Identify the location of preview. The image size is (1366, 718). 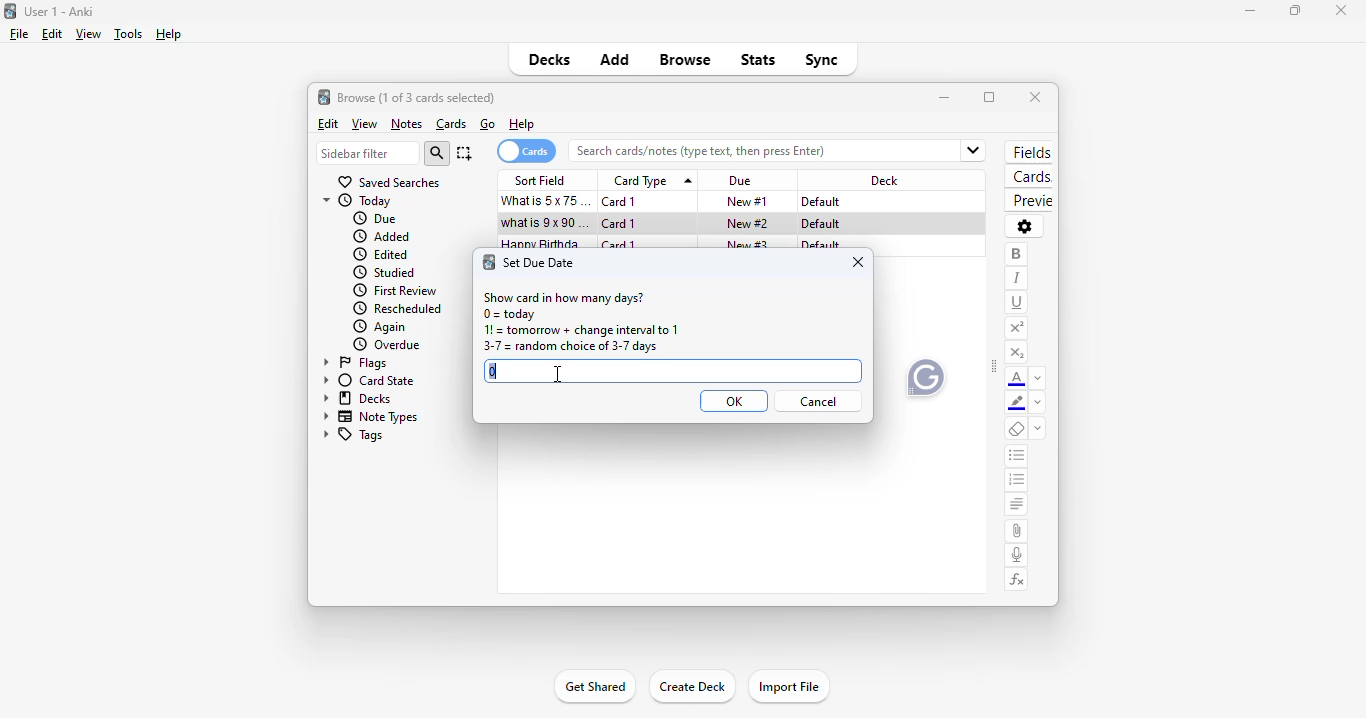
(1031, 201).